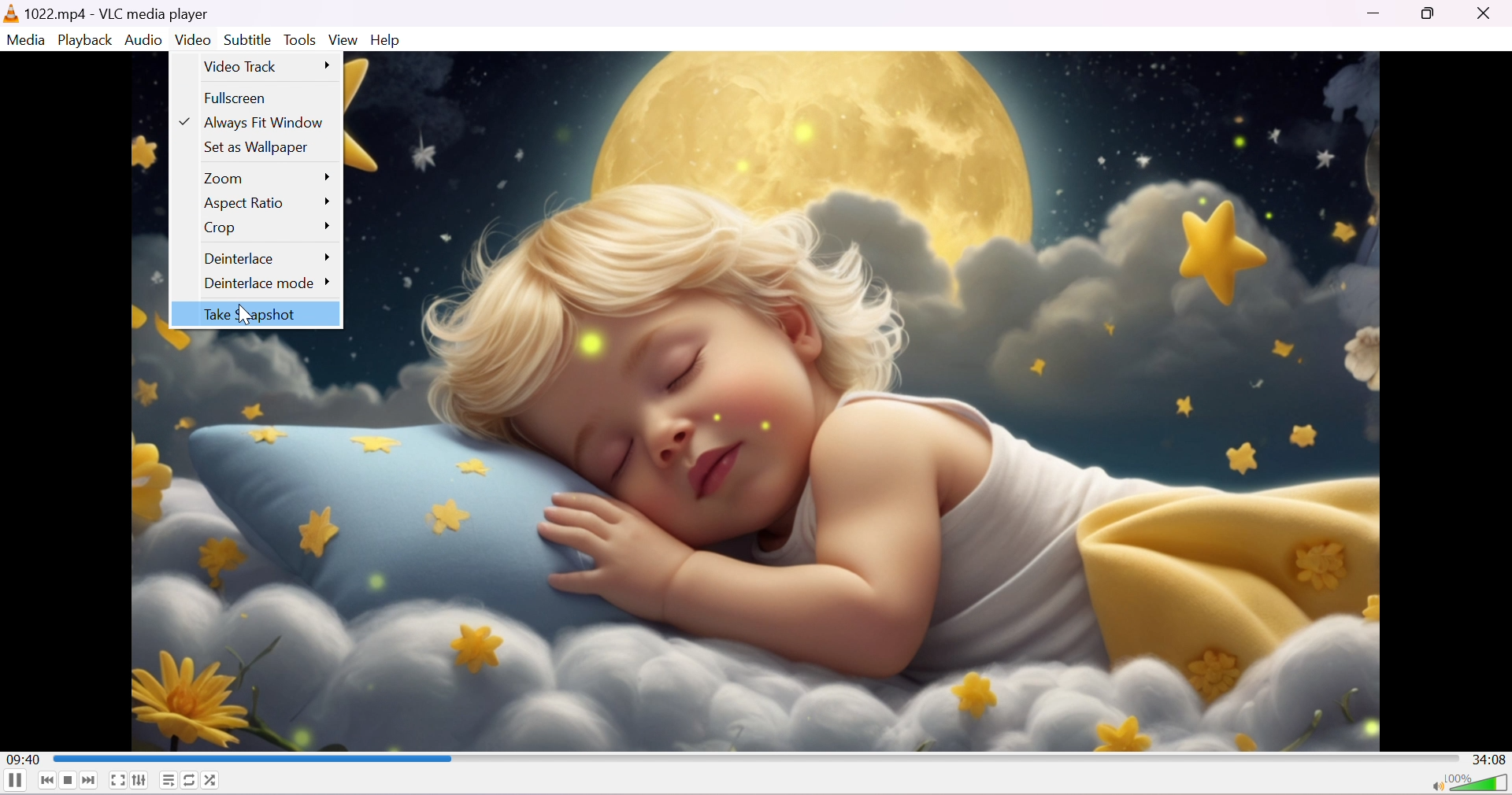  I want to click on Take screenshot, so click(251, 315).